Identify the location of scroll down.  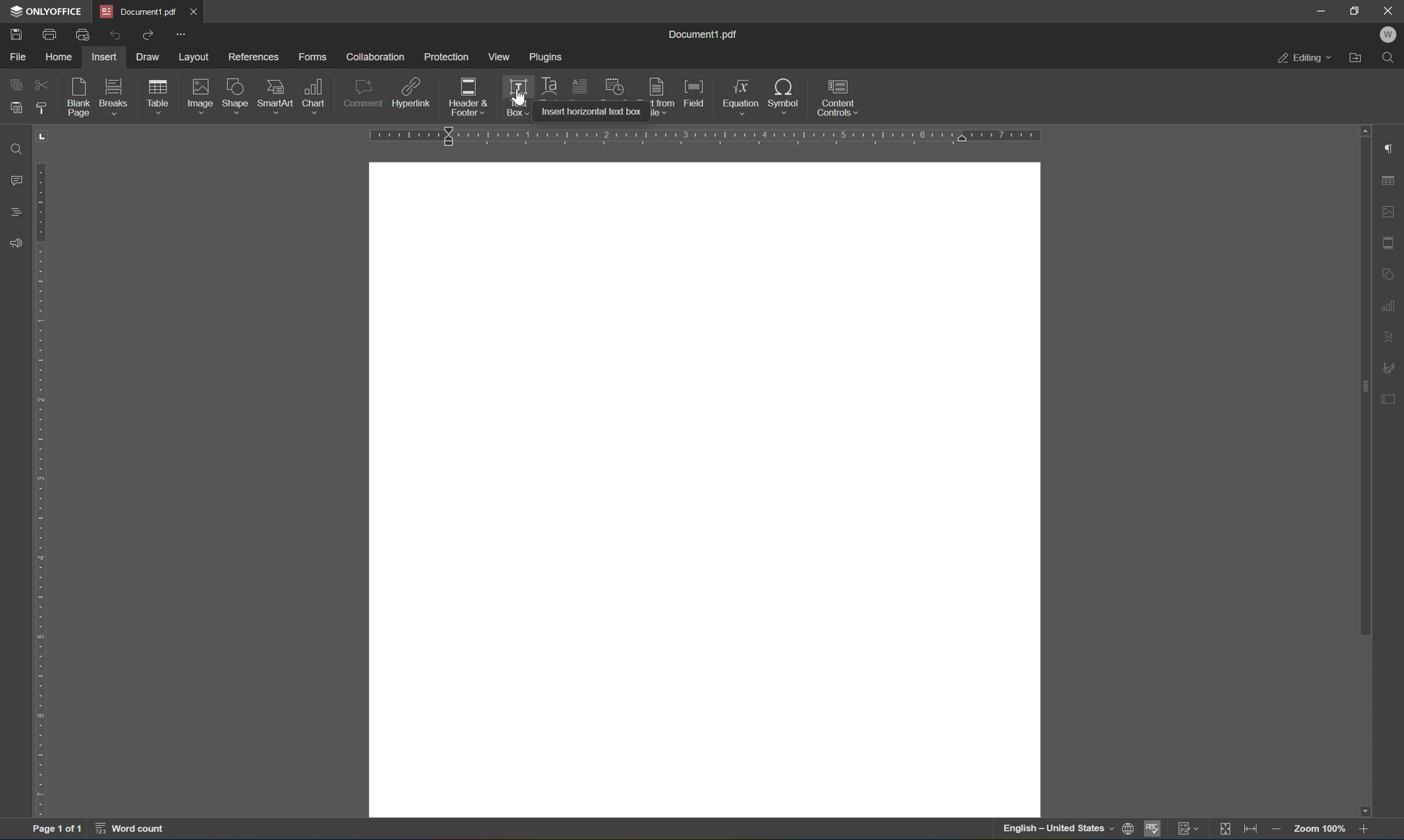
(1364, 811).